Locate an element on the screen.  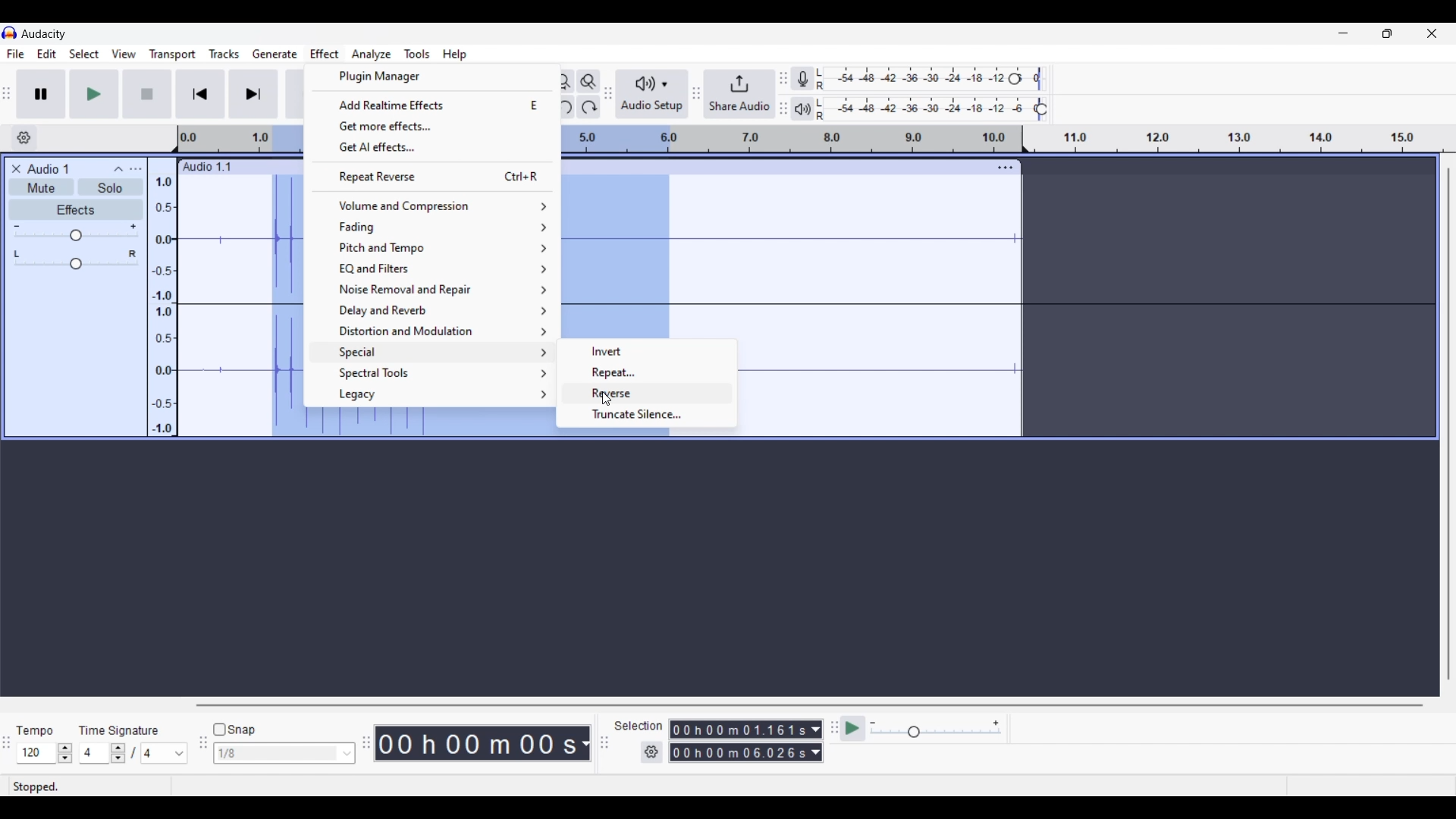
Collapse is located at coordinates (118, 169).